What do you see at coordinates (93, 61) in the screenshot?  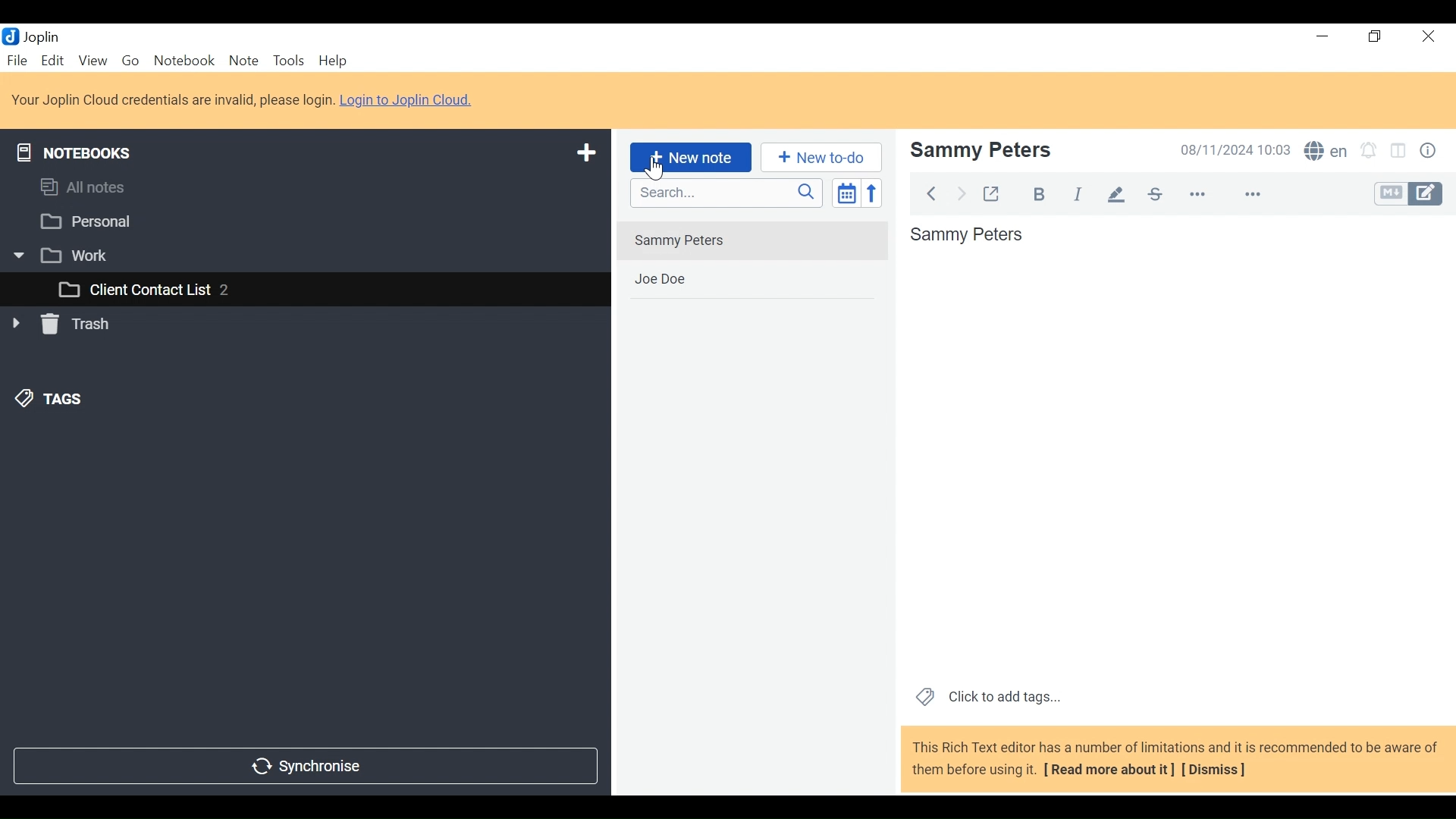 I see `View` at bounding box center [93, 61].